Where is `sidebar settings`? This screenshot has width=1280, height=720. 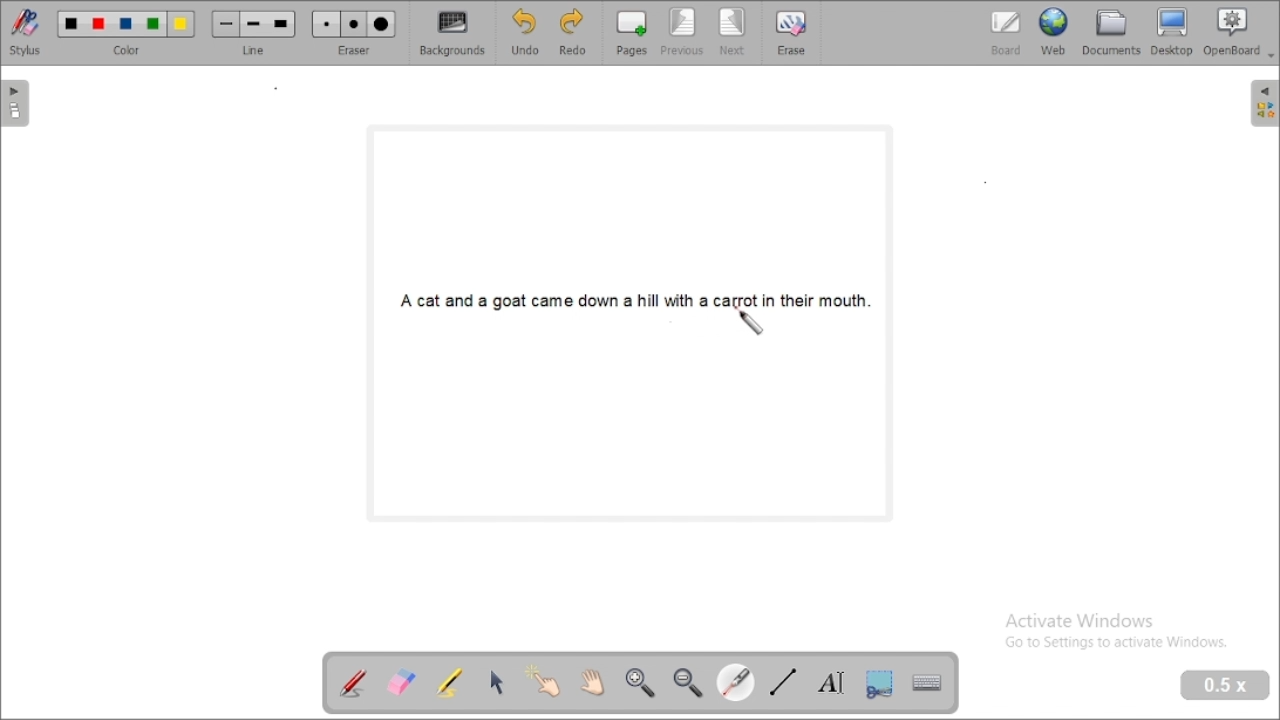 sidebar settings is located at coordinates (1263, 104).